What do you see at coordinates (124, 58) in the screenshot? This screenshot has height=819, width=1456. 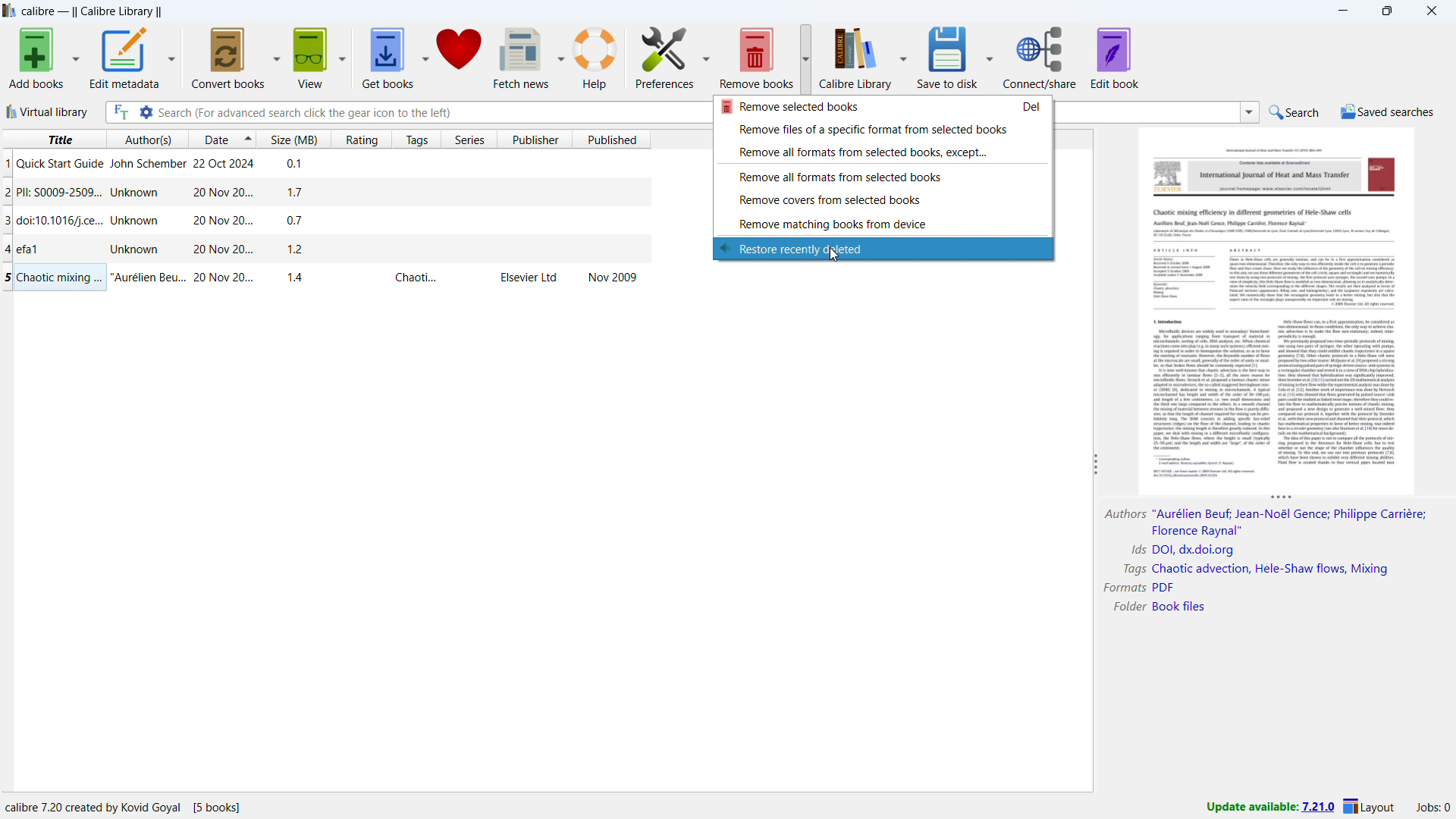 I see `edit metadata` at bounding box center [124, 58].